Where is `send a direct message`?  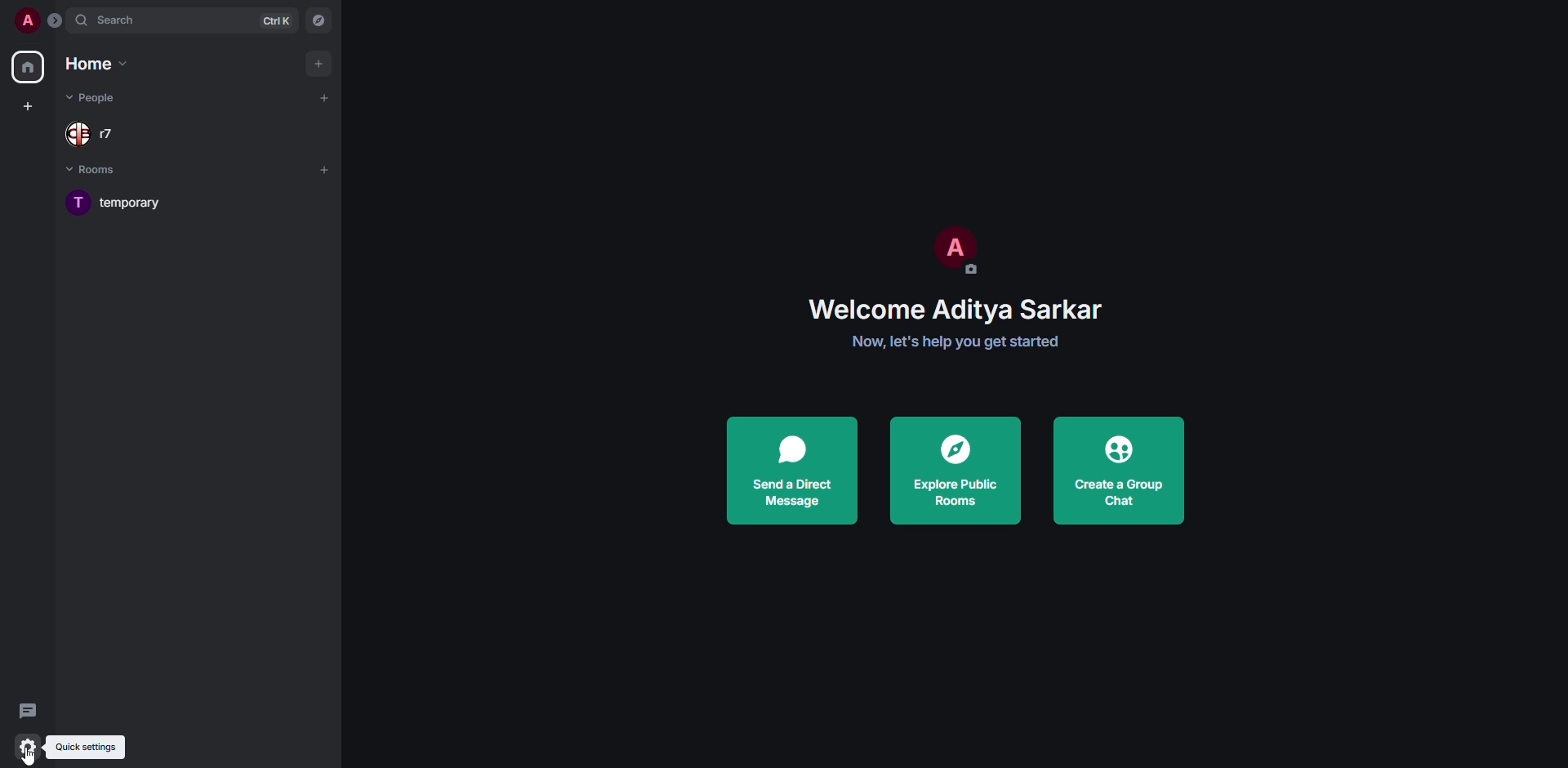 send a direct message is located at coordinates (791, 475).